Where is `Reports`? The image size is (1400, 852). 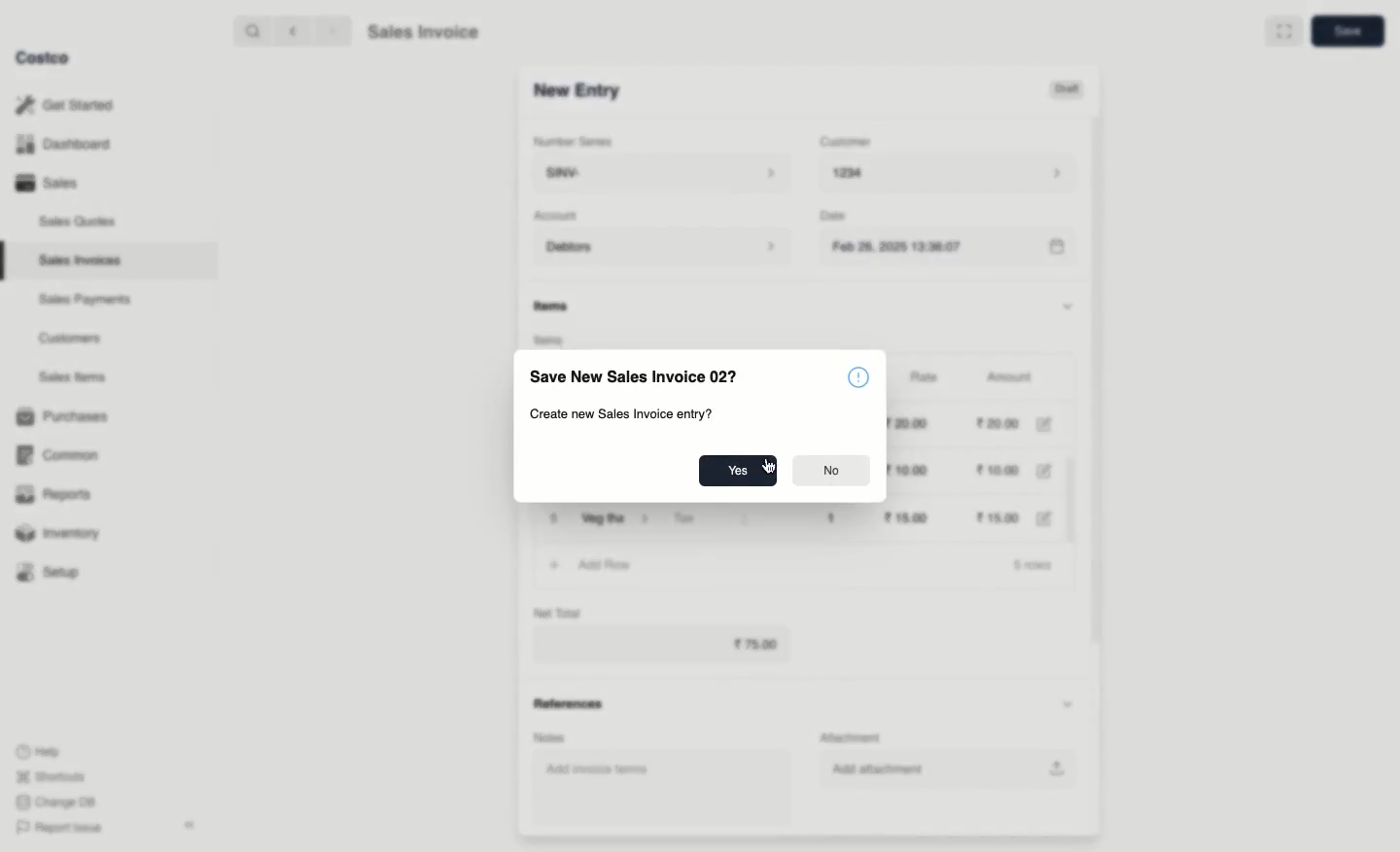 Reports is located at coordinates (54, 496).